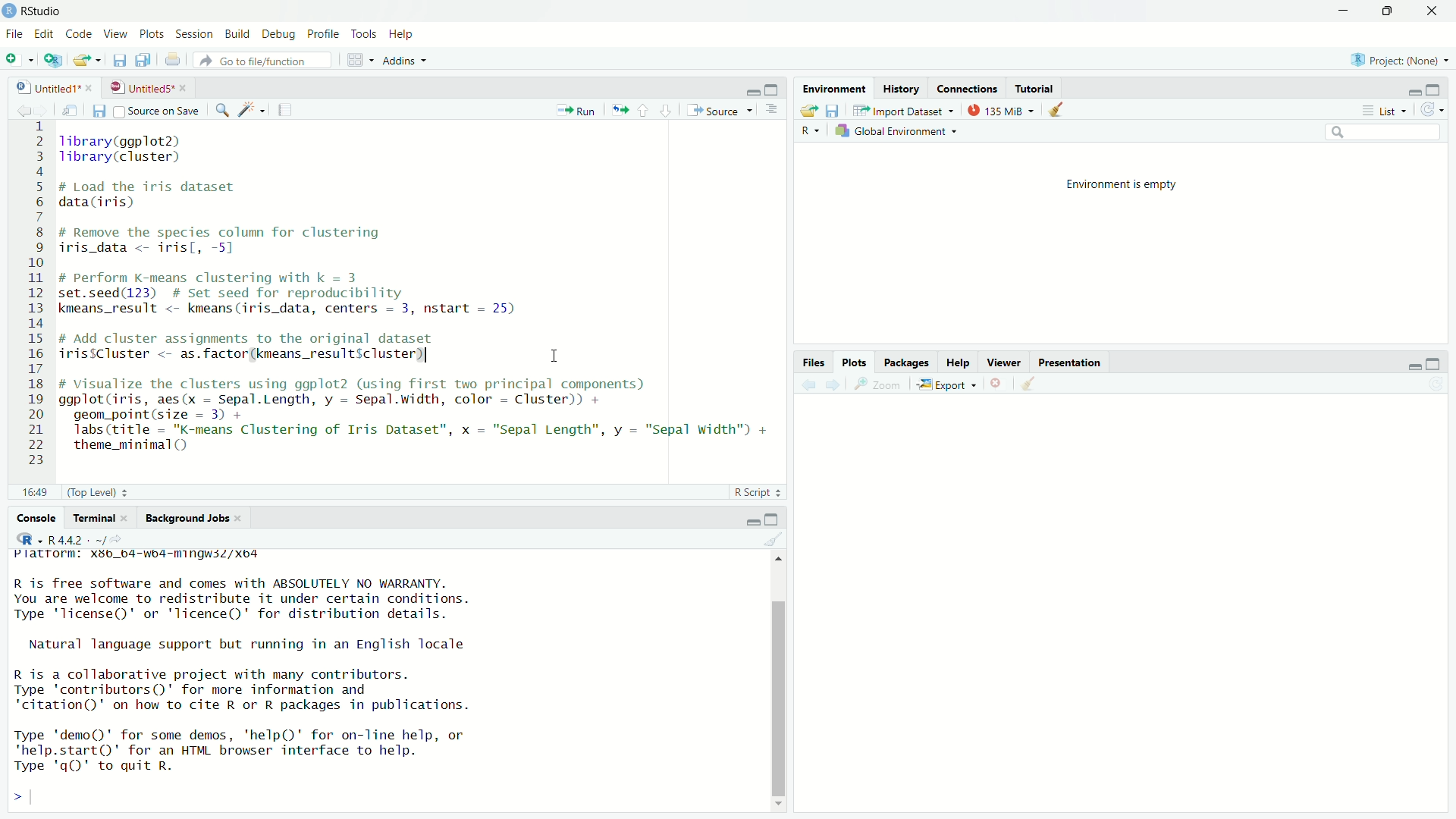  I want to click on save current document, so click(120, 60).